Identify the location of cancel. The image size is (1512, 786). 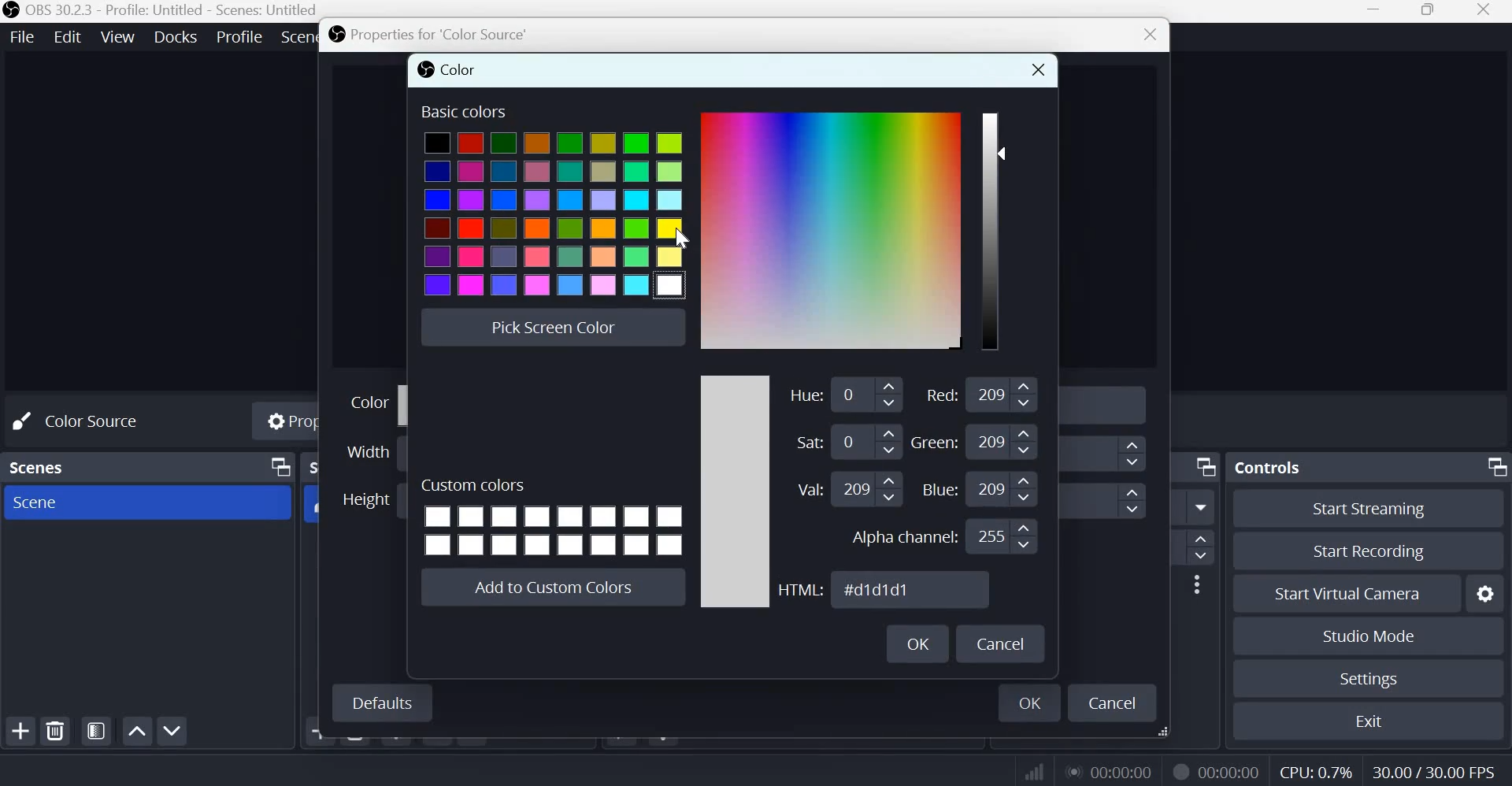
(1114, 702).